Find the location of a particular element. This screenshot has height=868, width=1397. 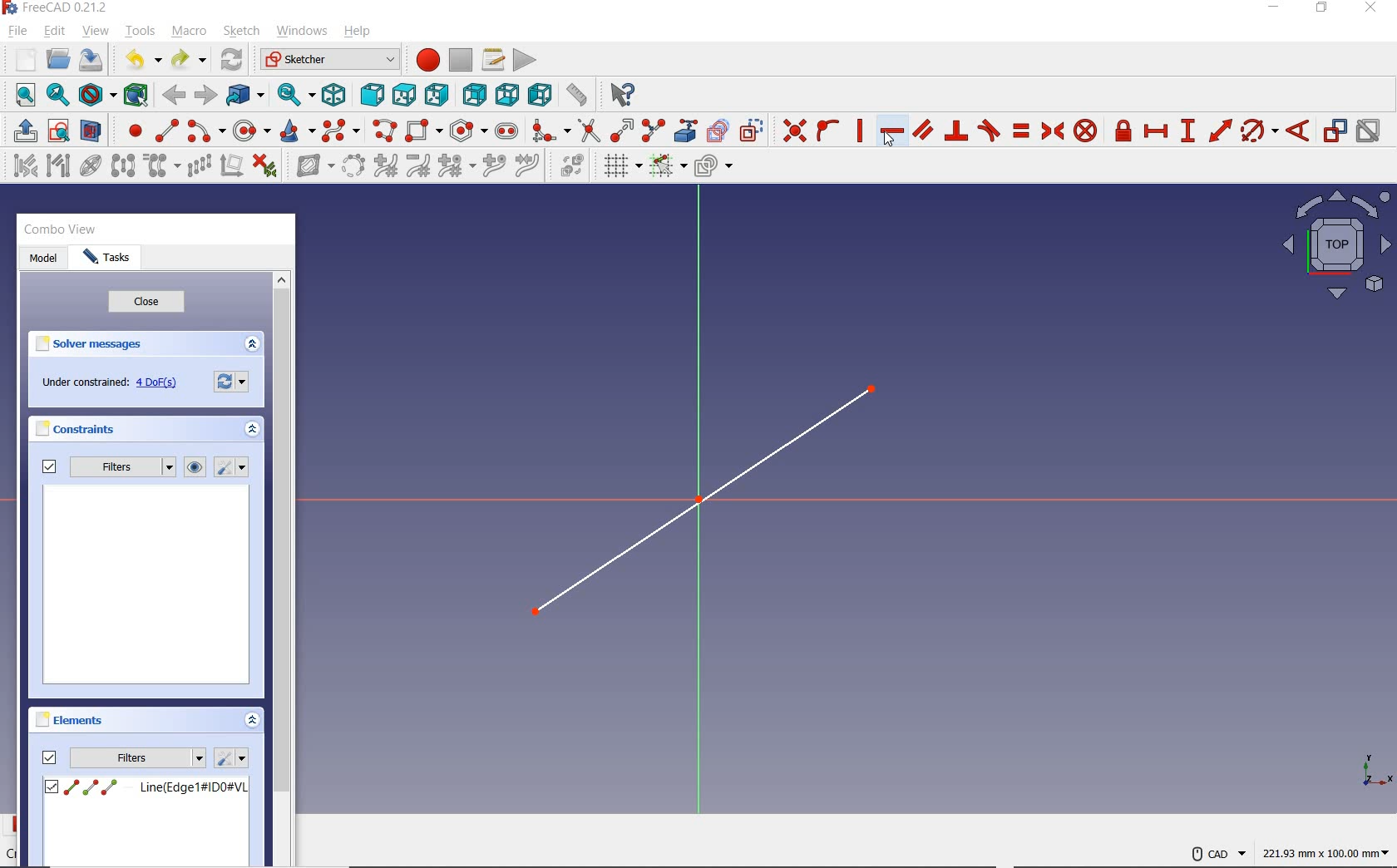

CLOSE is located at coordinates (144, 303).